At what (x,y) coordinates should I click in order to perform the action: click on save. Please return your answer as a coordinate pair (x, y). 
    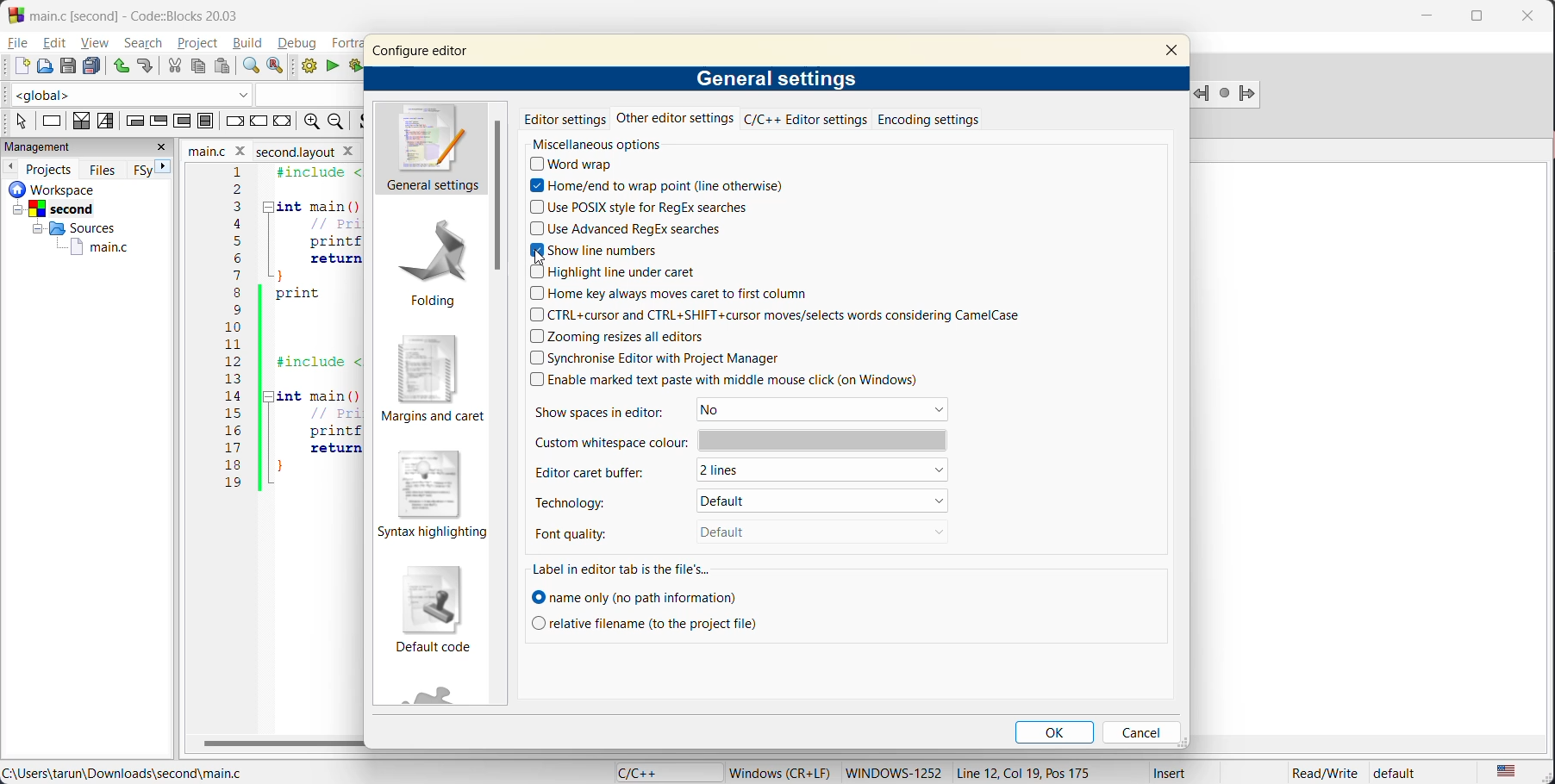
    Looking at the image, I should click on (66, 65).